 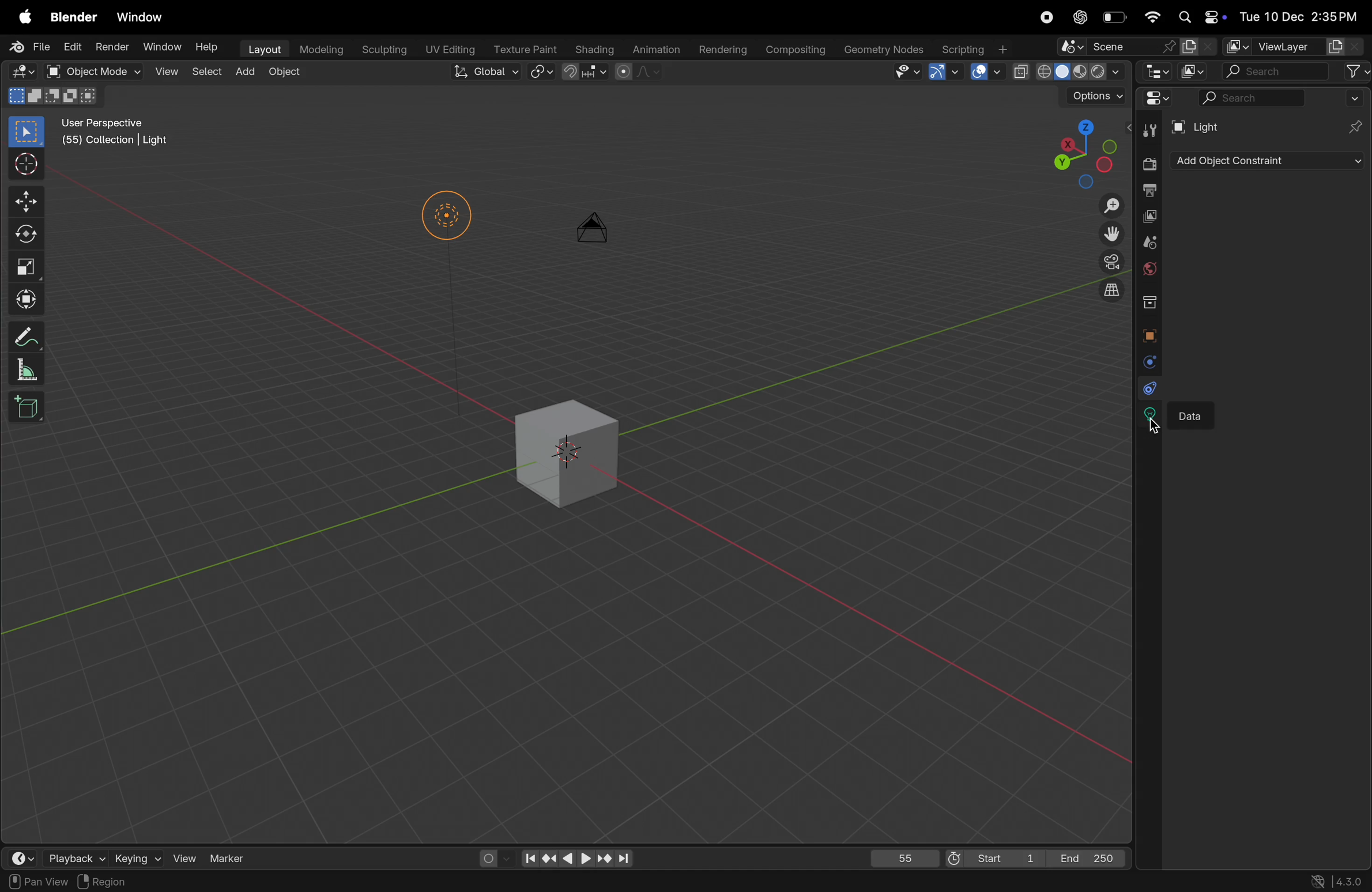 What do you see at coordinates (1147, 388) in the screenshot?
I see `constarints` at bounding box center [1147, 388].